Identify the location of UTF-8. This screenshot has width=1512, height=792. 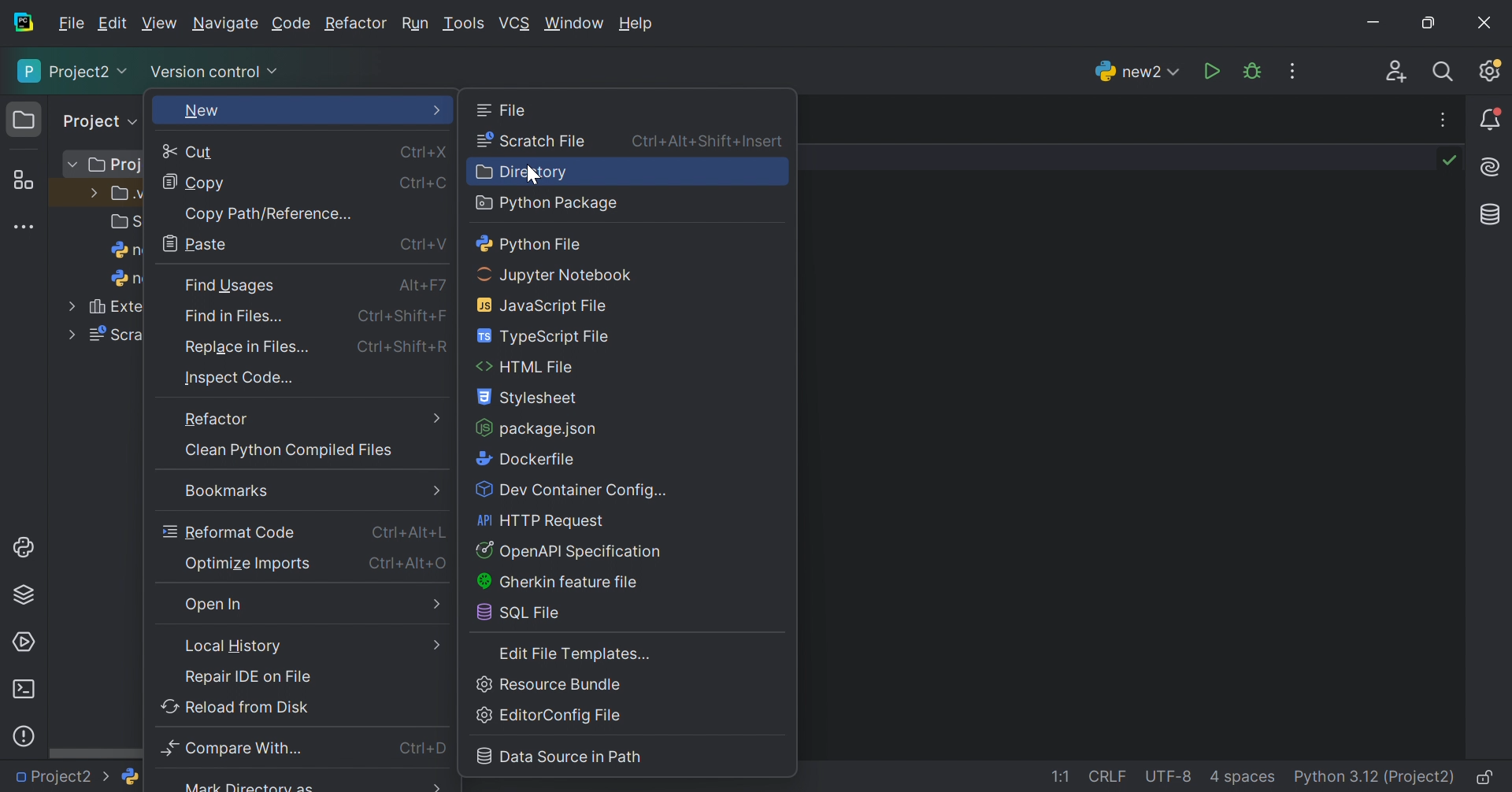
(1170, 776).